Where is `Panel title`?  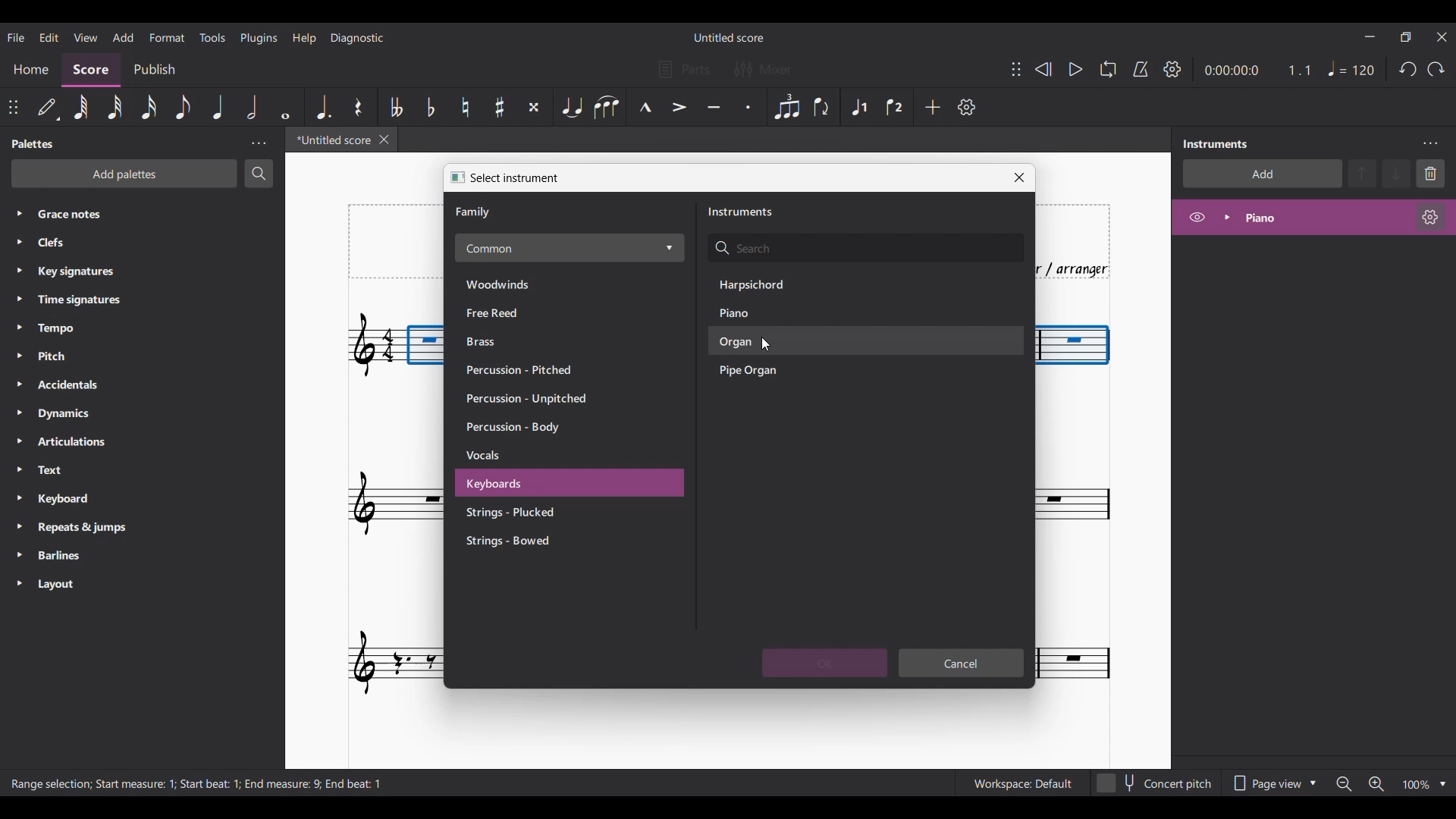
Panel title is located at coordinates (1219, 144).